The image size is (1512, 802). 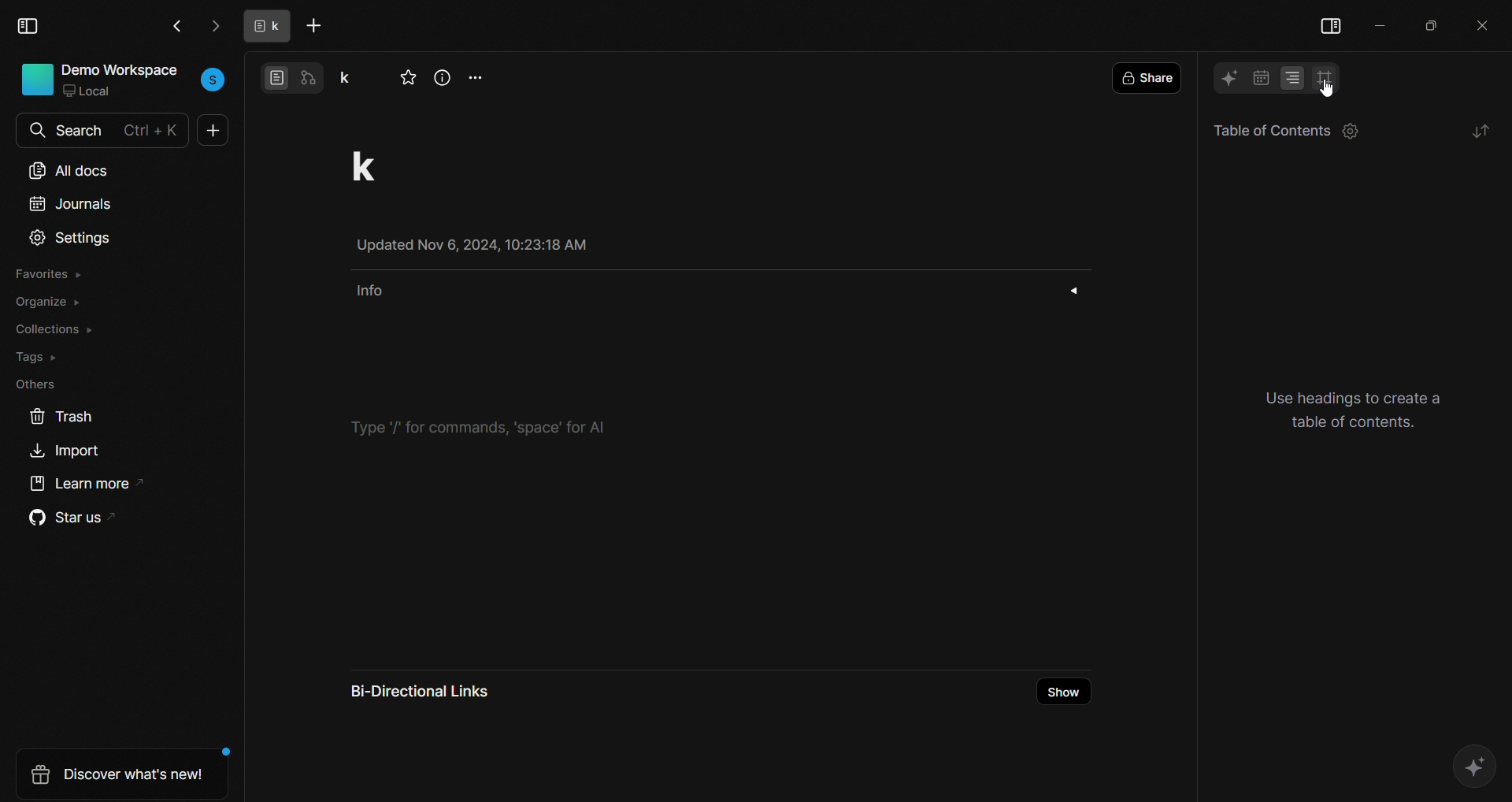 I want to click on go next, so click(x=213, y=26).